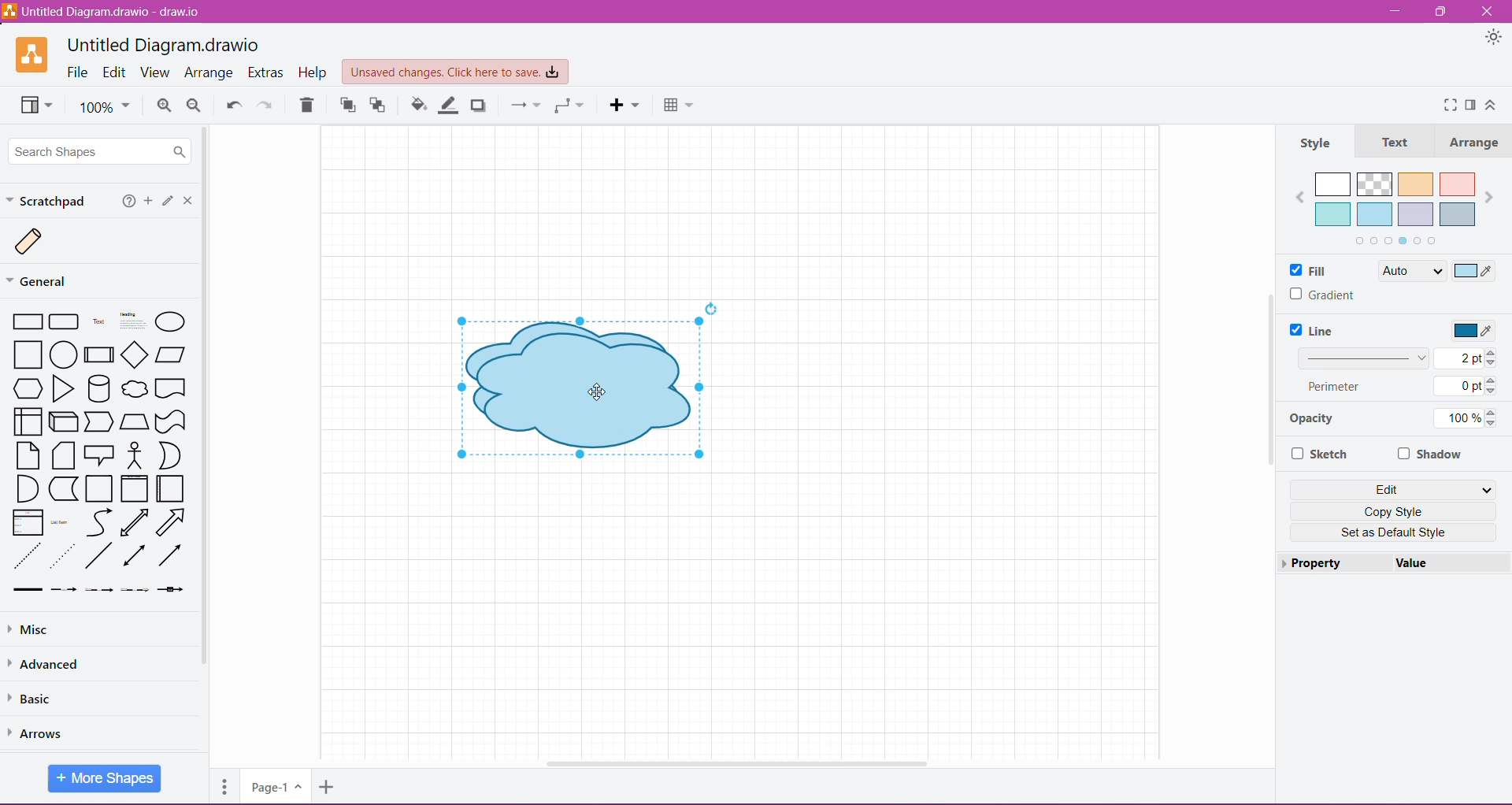 This screenshot has height=805, width=1512. I want to click on Page-1, so click(274, 787).